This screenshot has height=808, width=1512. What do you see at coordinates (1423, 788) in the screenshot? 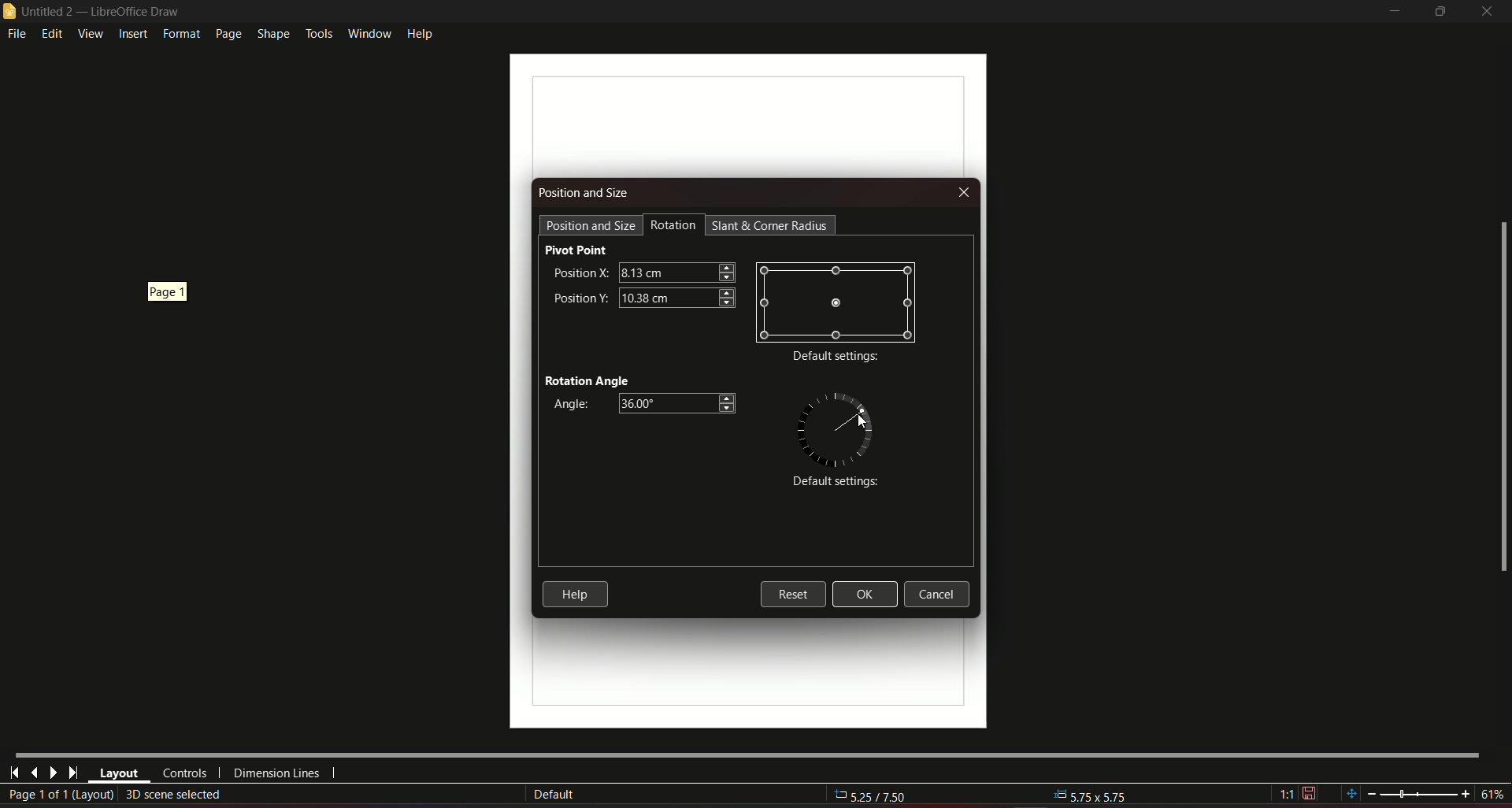
I see `zoom` at bounding box center [1423, 788].